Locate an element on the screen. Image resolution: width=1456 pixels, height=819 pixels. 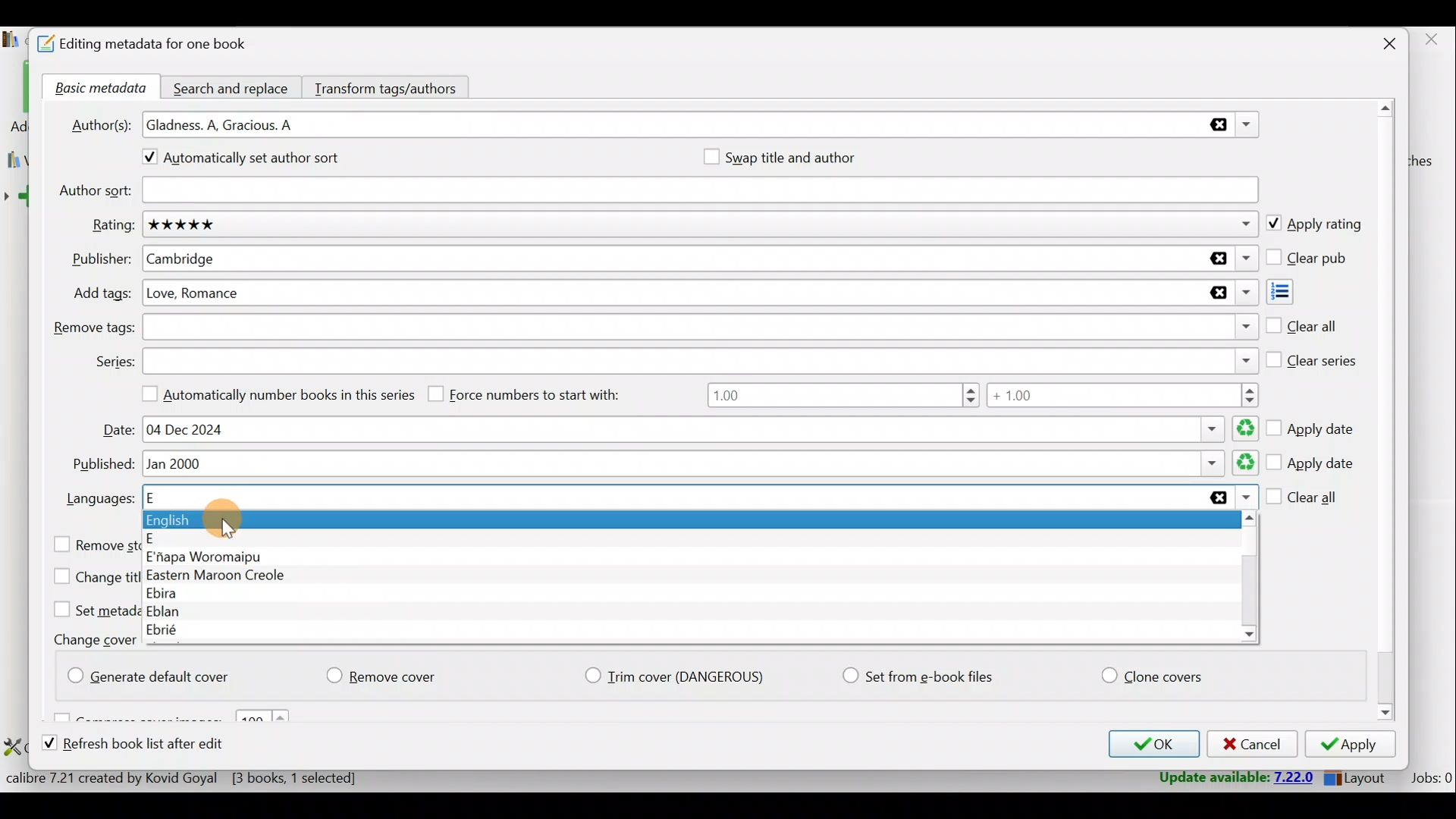
Remove cover is located at coordinates (391, 673).